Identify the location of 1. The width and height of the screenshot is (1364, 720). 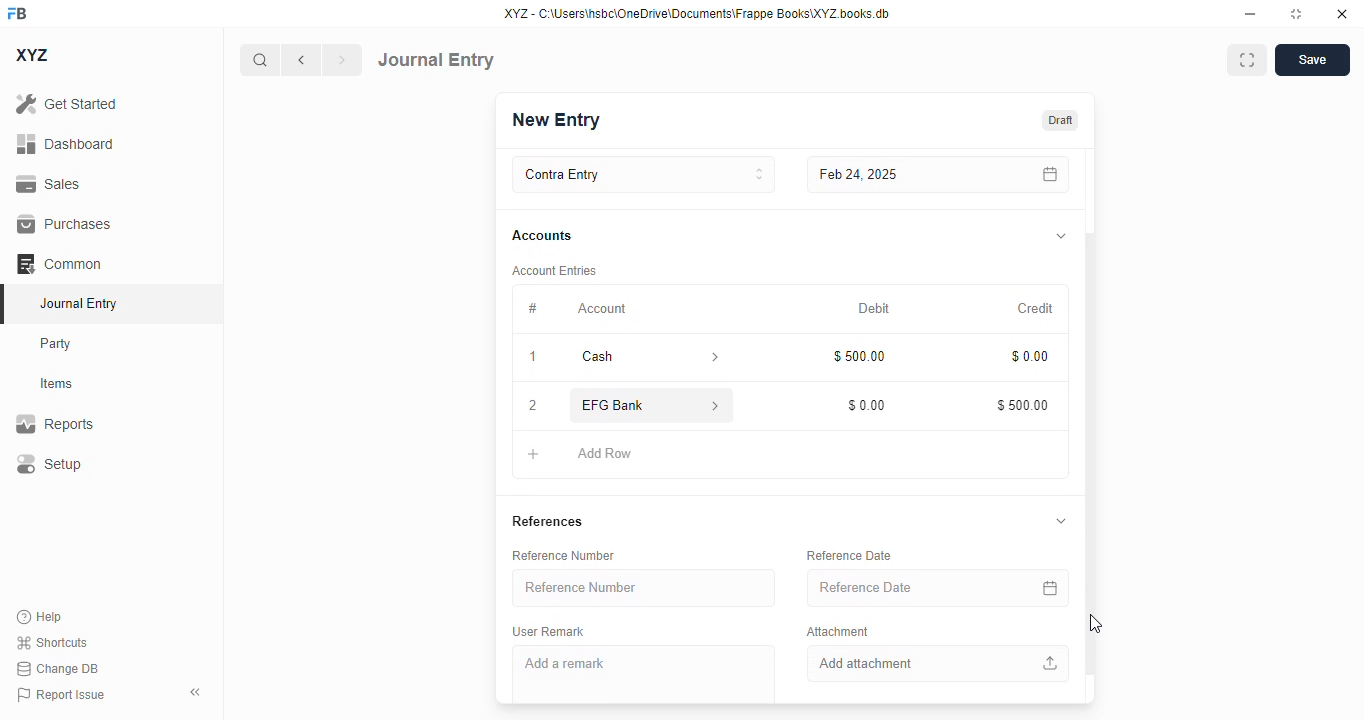
(532, 356).